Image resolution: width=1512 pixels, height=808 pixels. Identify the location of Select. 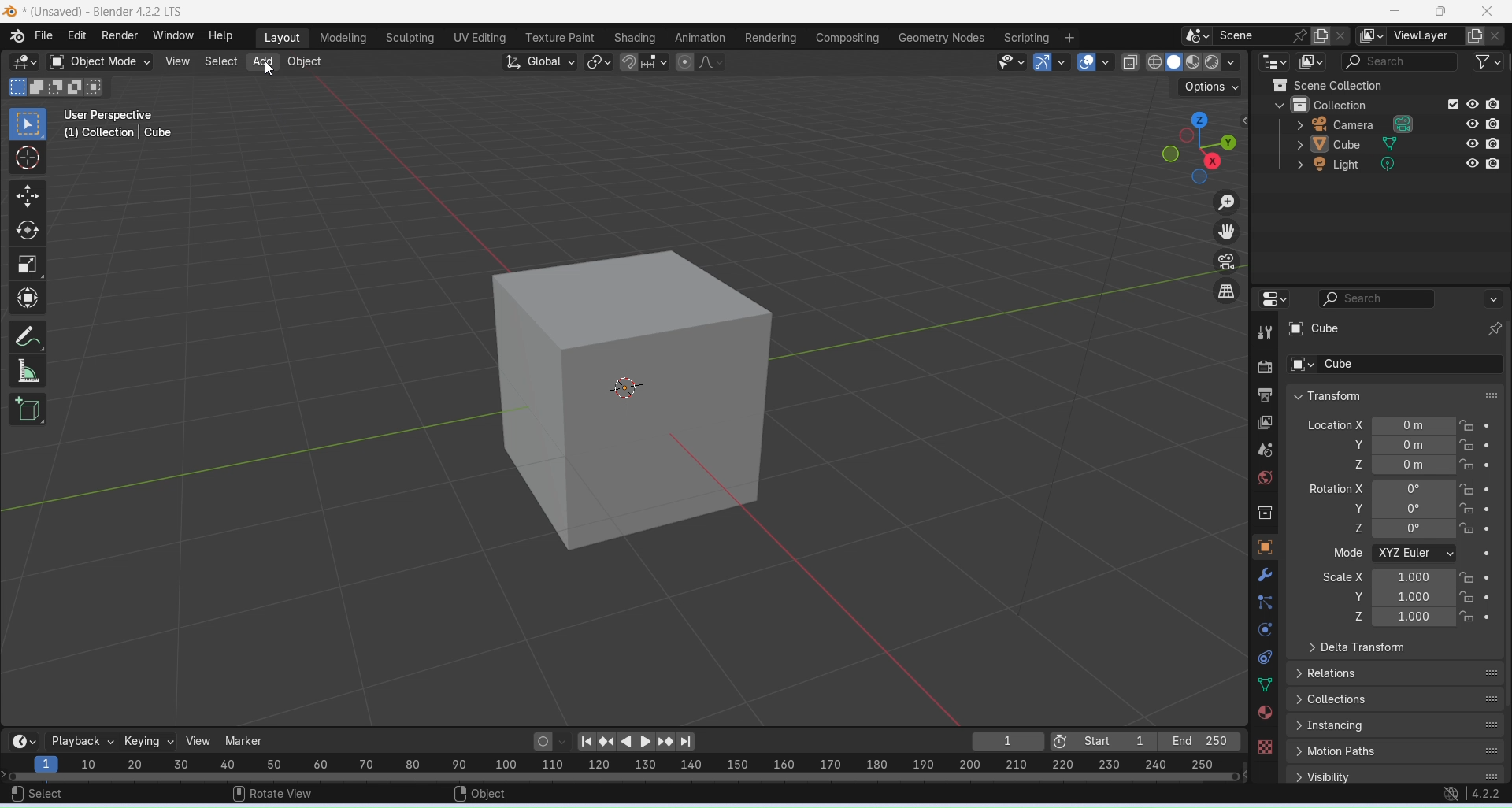
(220, 61).